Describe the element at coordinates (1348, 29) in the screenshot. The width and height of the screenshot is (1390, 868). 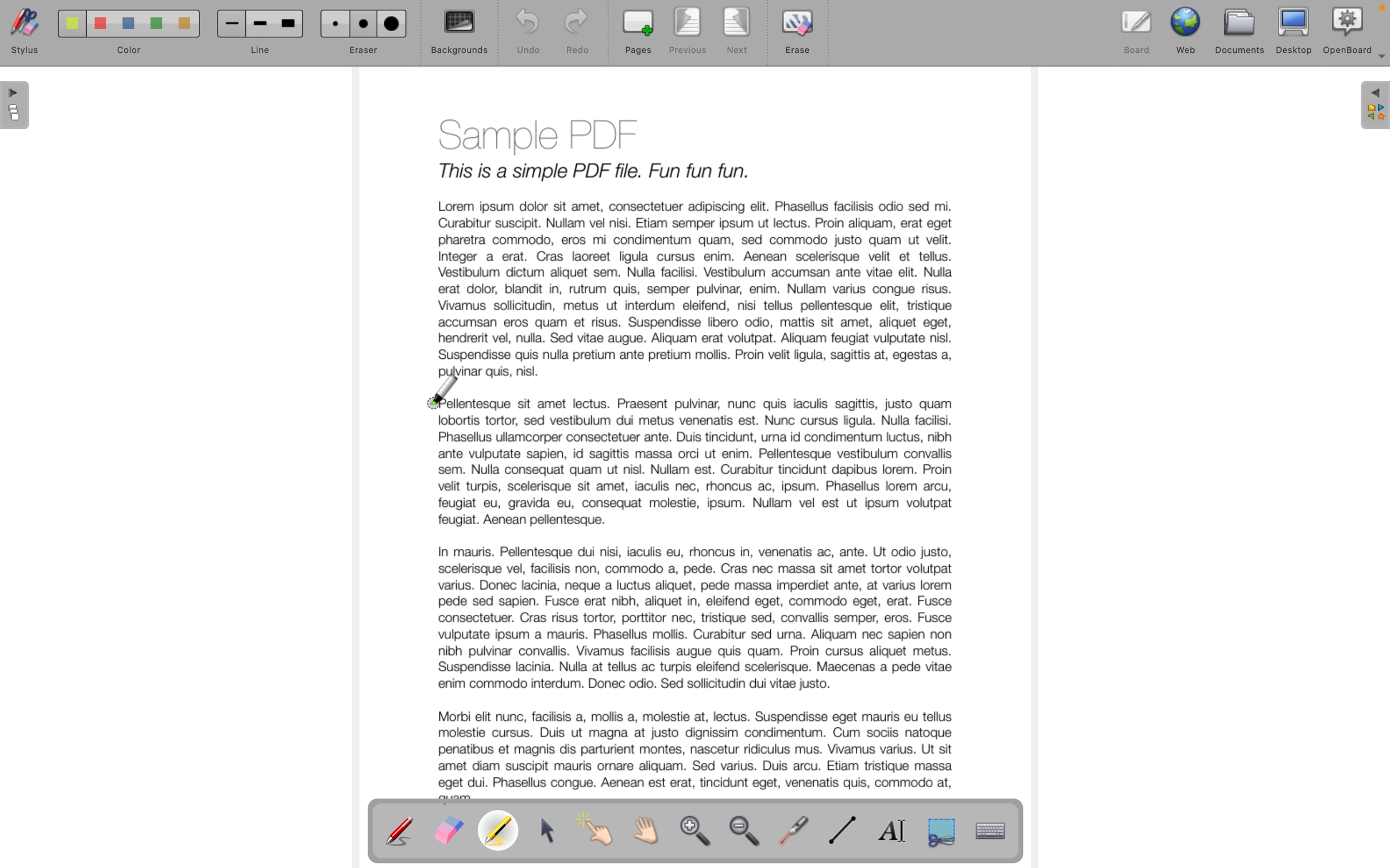
I see `openboard` at that location.